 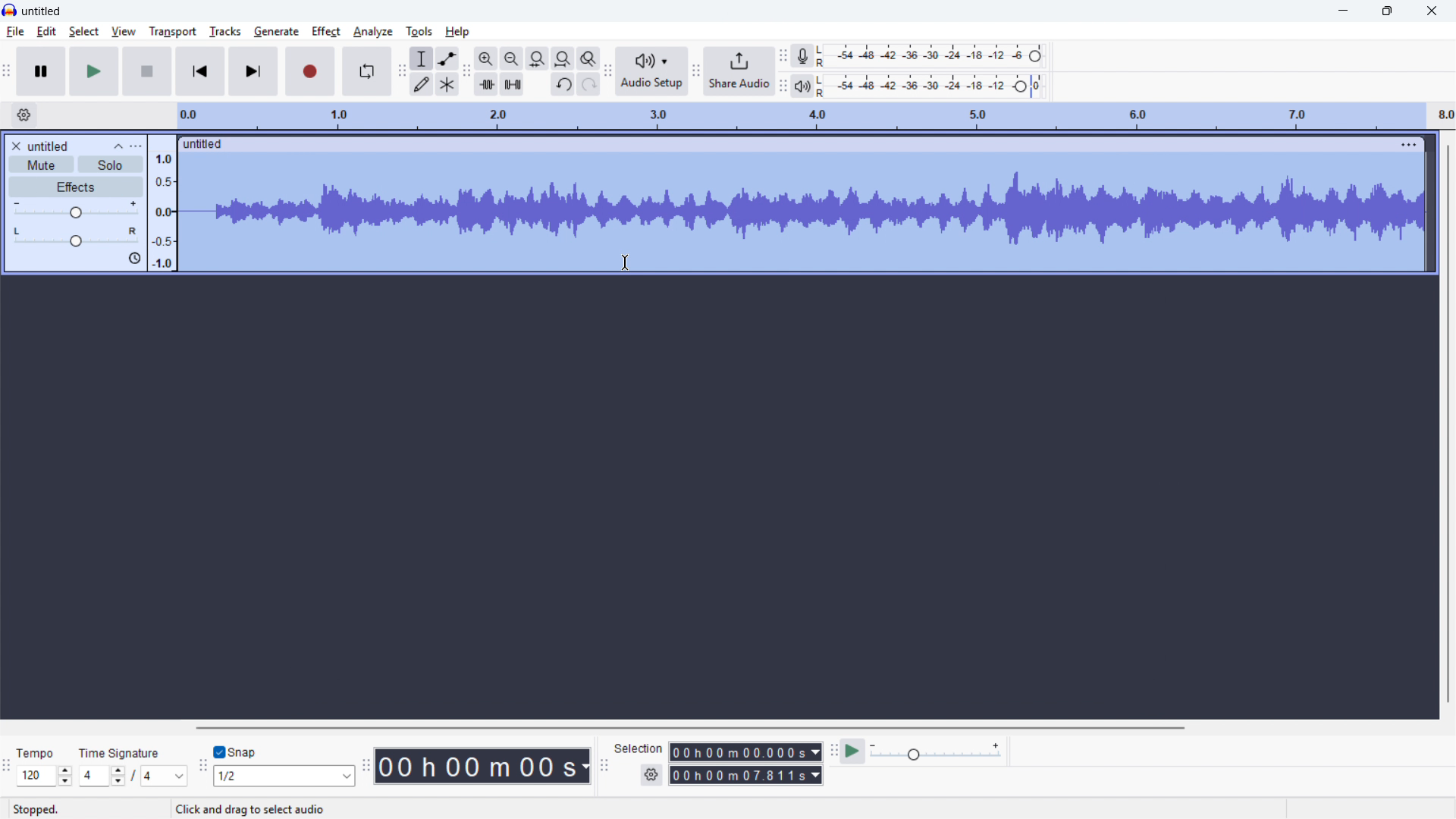 What do you see at coordinates (651, 71) in the screenshot?
I see `Audio setup ` at bounding box center [651, 71].